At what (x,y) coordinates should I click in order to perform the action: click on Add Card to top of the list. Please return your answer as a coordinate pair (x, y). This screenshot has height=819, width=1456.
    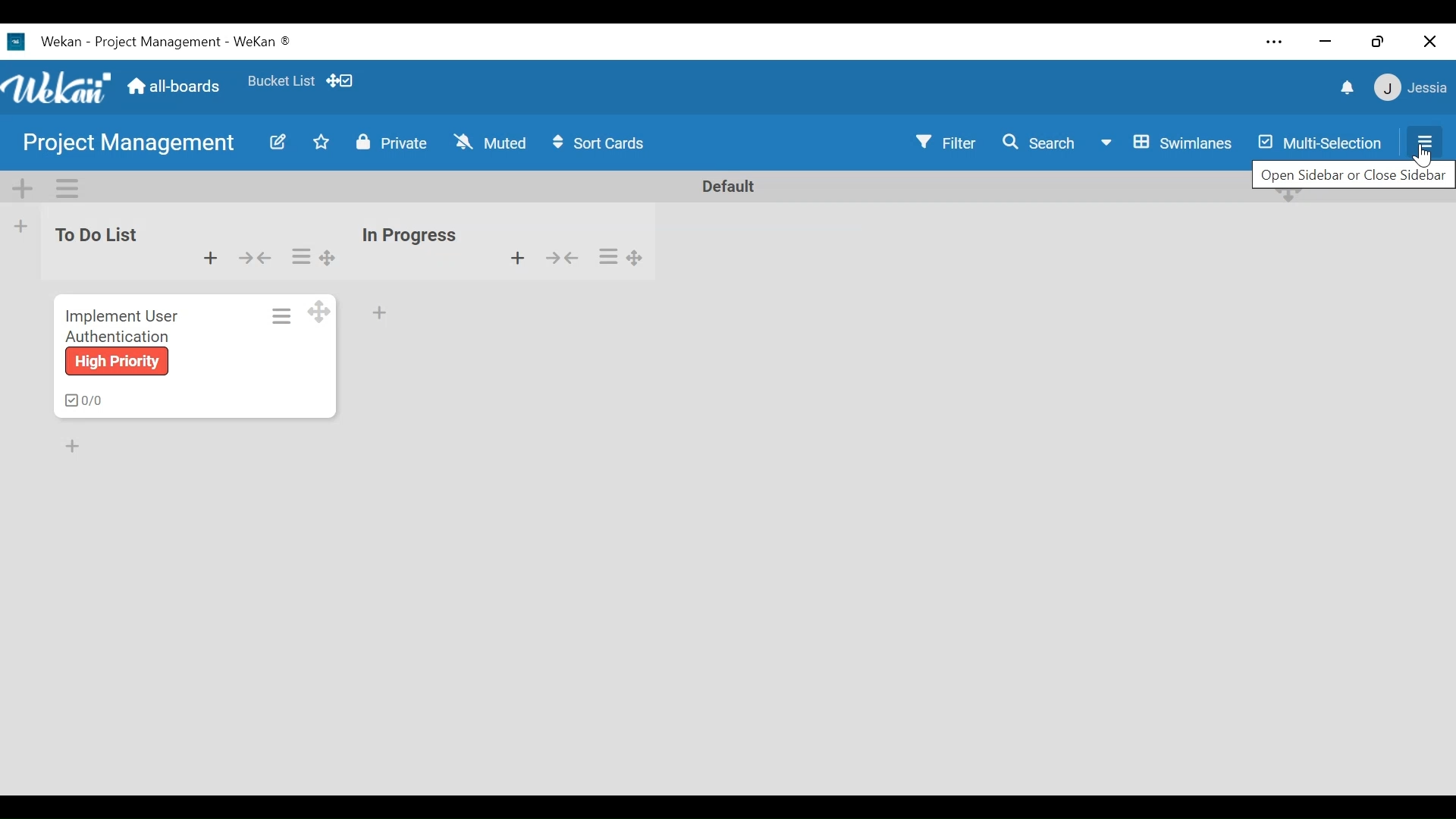
    Looking at the image, I should click on (211, 258).